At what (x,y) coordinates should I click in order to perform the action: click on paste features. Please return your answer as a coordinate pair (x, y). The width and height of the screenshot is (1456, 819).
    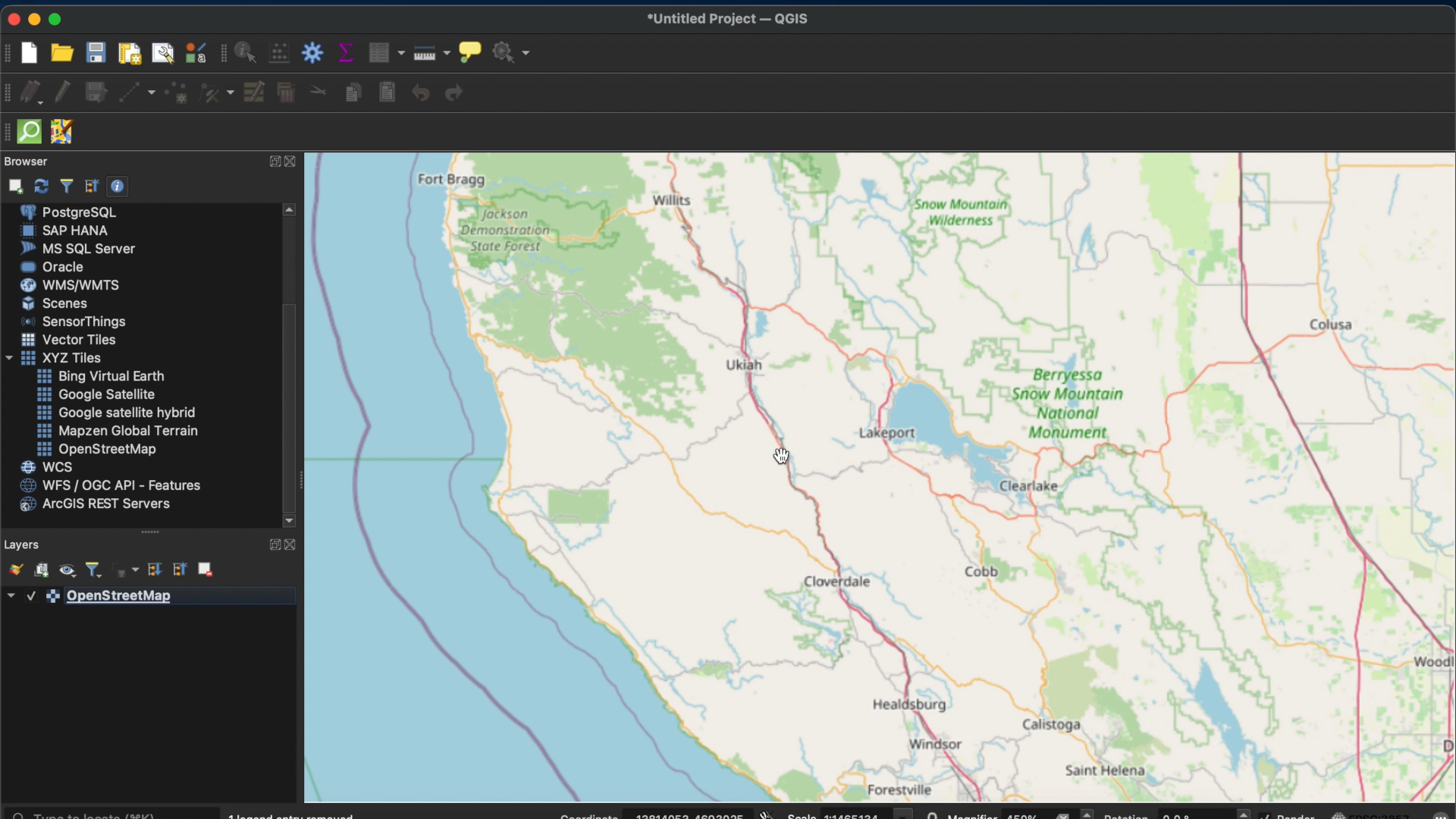
    Looking at the image, I should click on (389, 93).